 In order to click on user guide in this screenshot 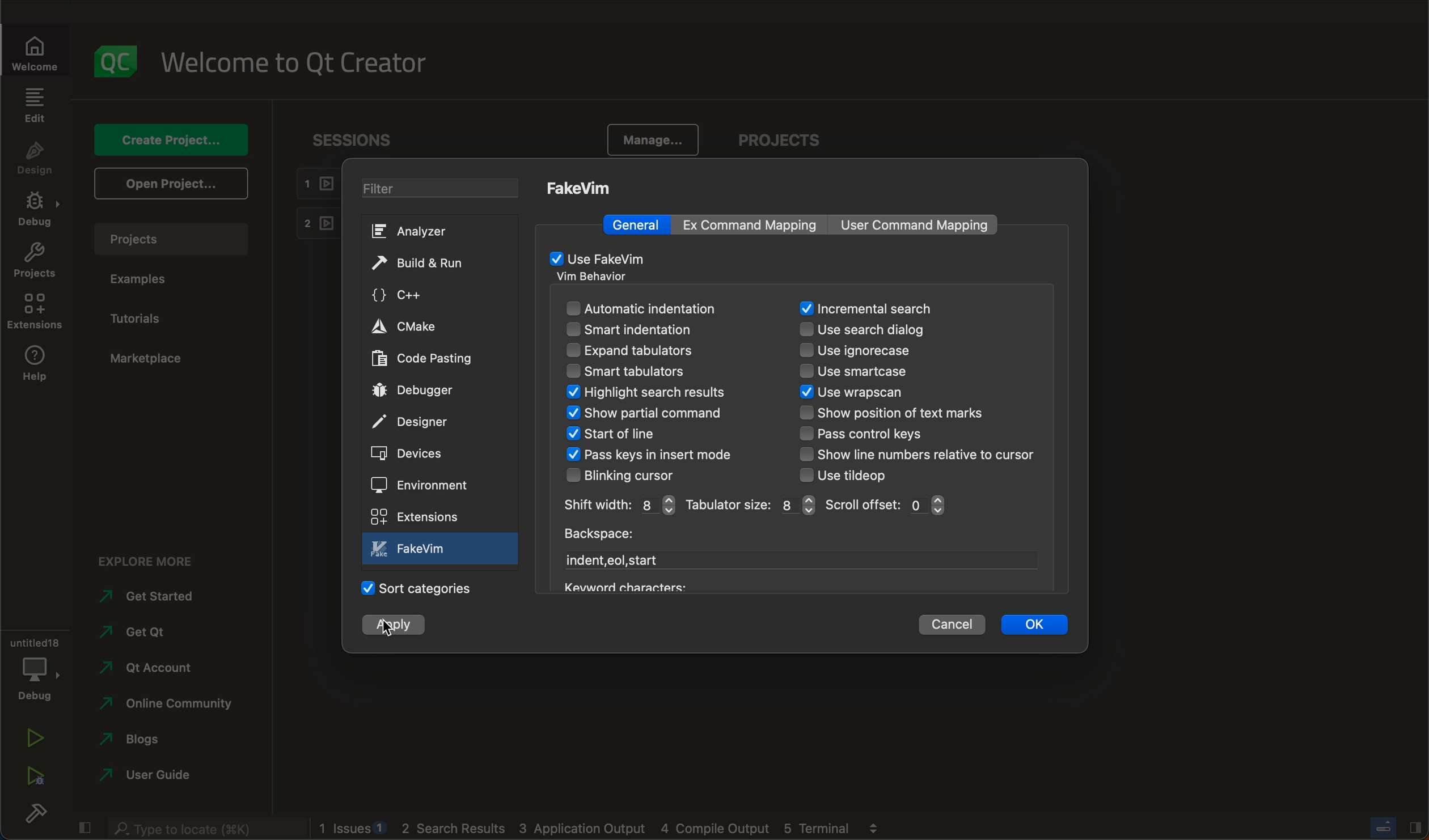, I will do `click(158, 777)`.